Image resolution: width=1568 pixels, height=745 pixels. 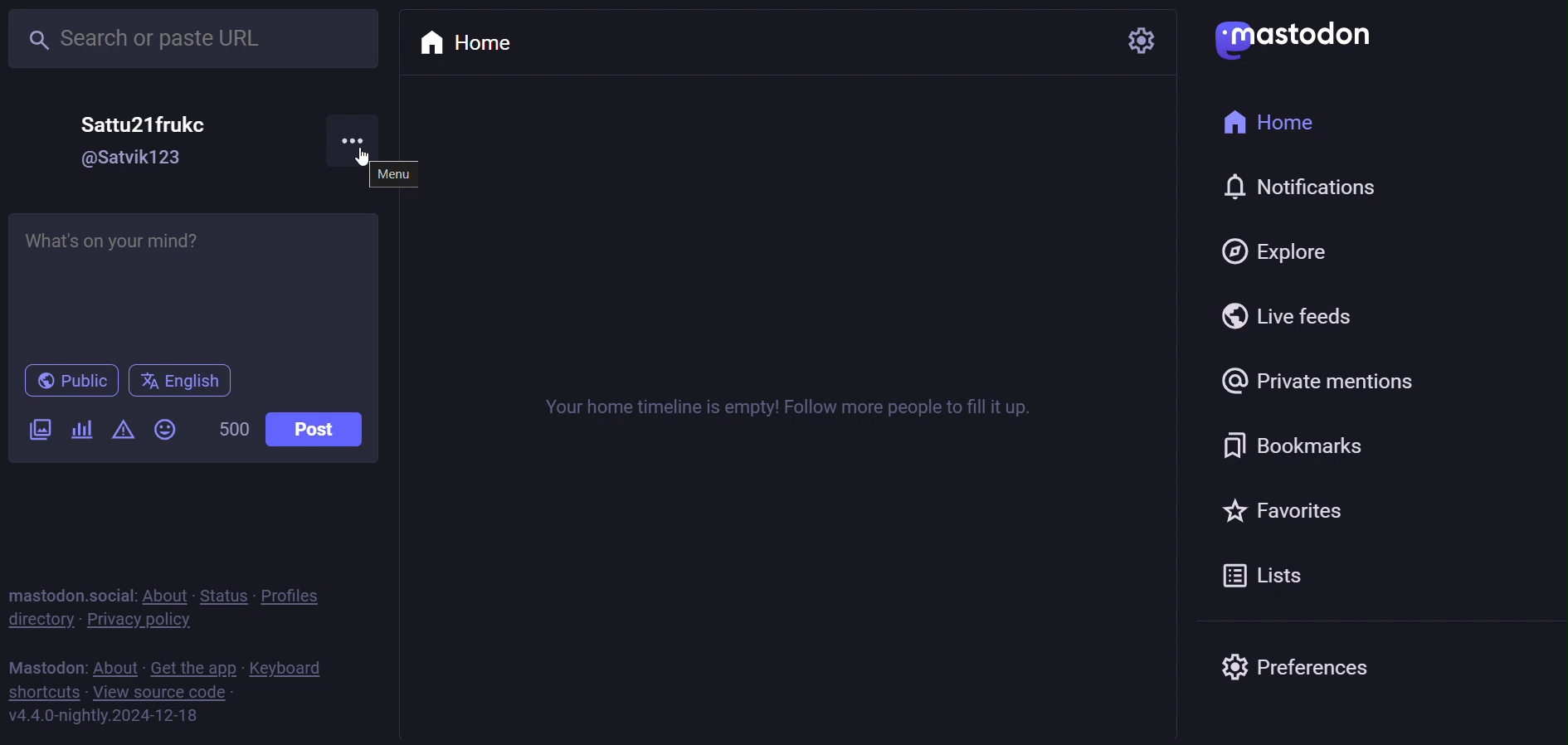 I want to click on post, so click(x=314, y=431).